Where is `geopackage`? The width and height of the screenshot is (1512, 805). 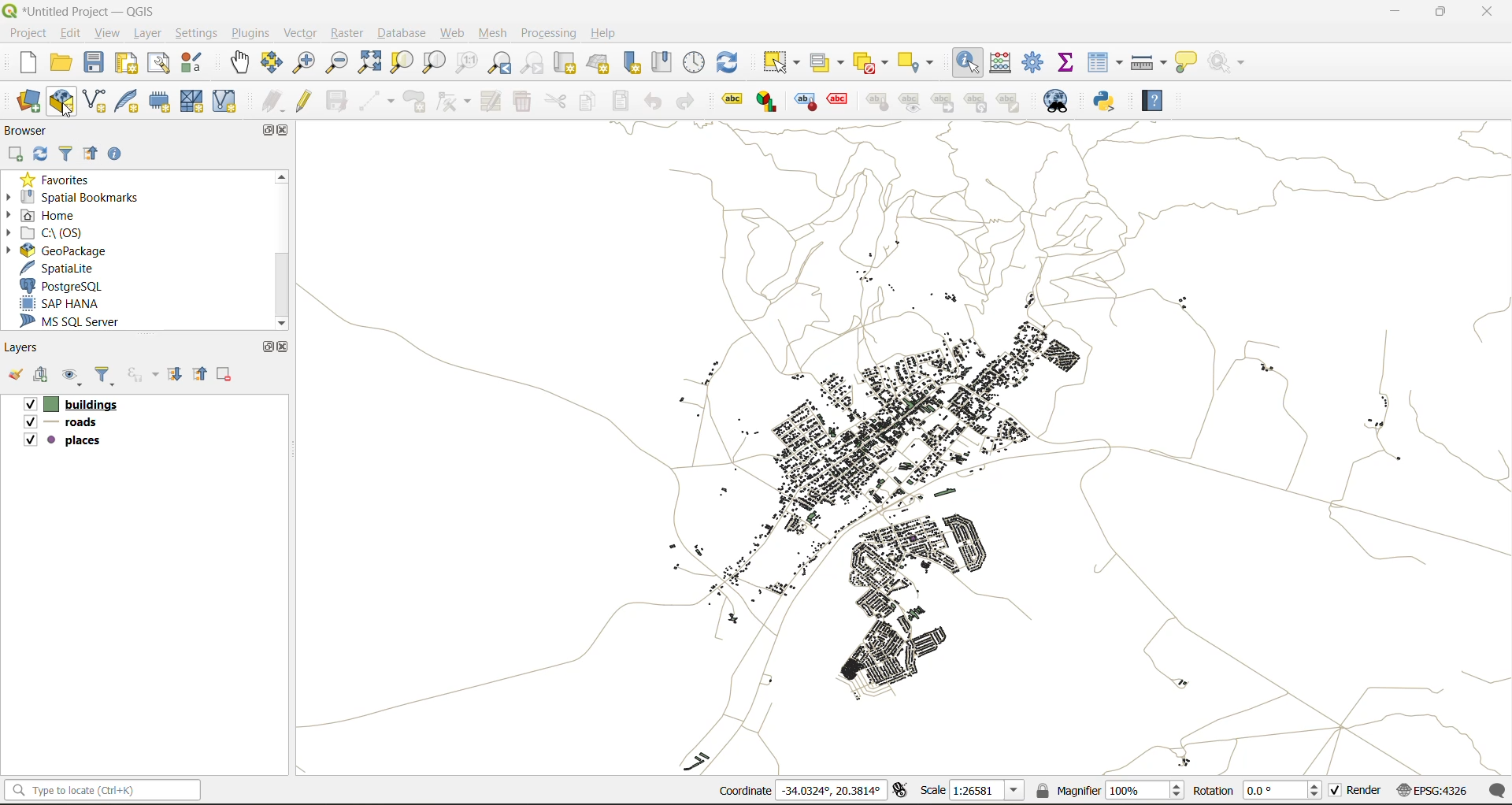 geopackage is located at coordinates (55, 249).